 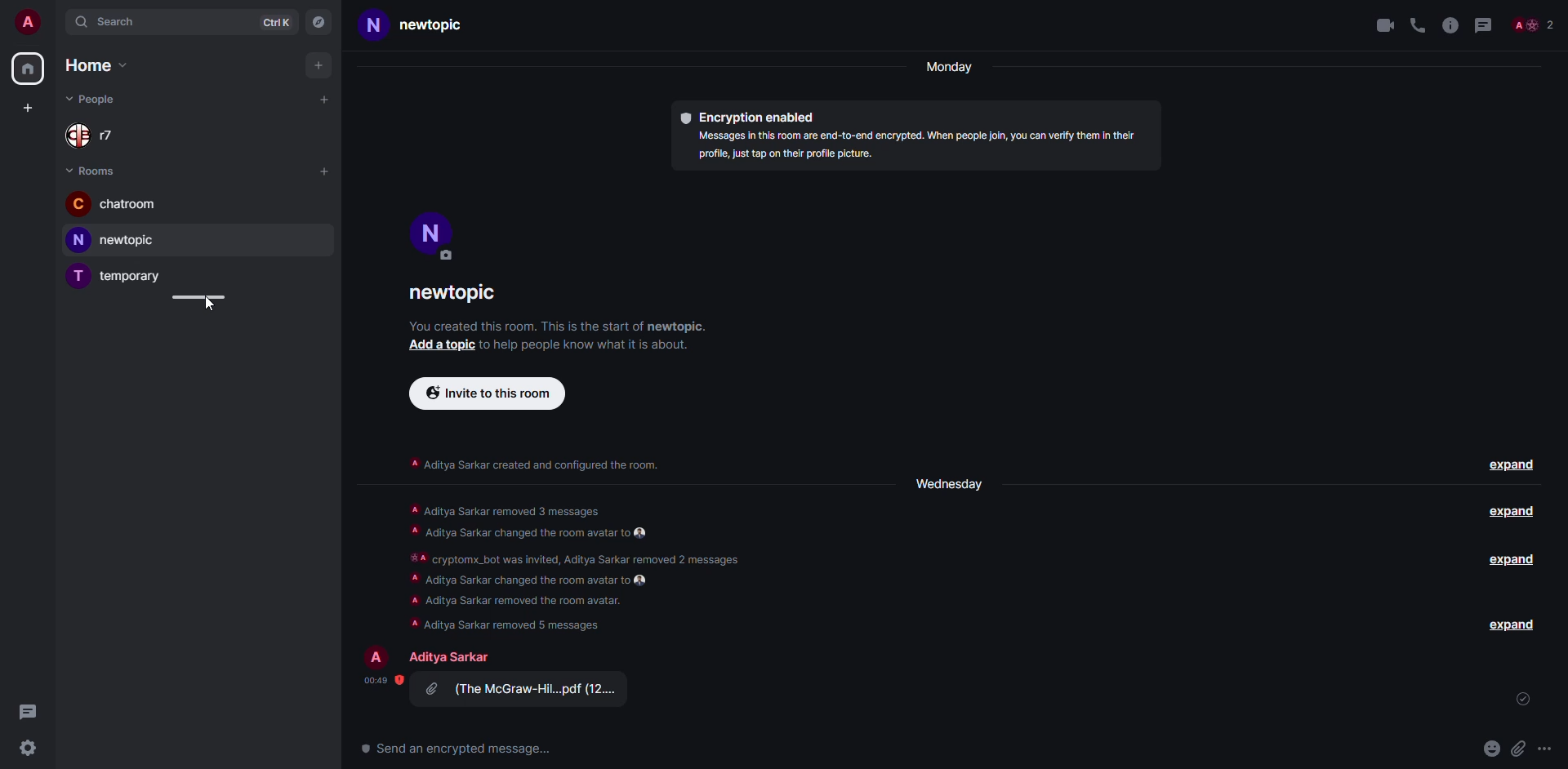 What do you see at coordinates (1521, 749) in the screenshot?
I see `attach` at bounding box center [1521, 749].